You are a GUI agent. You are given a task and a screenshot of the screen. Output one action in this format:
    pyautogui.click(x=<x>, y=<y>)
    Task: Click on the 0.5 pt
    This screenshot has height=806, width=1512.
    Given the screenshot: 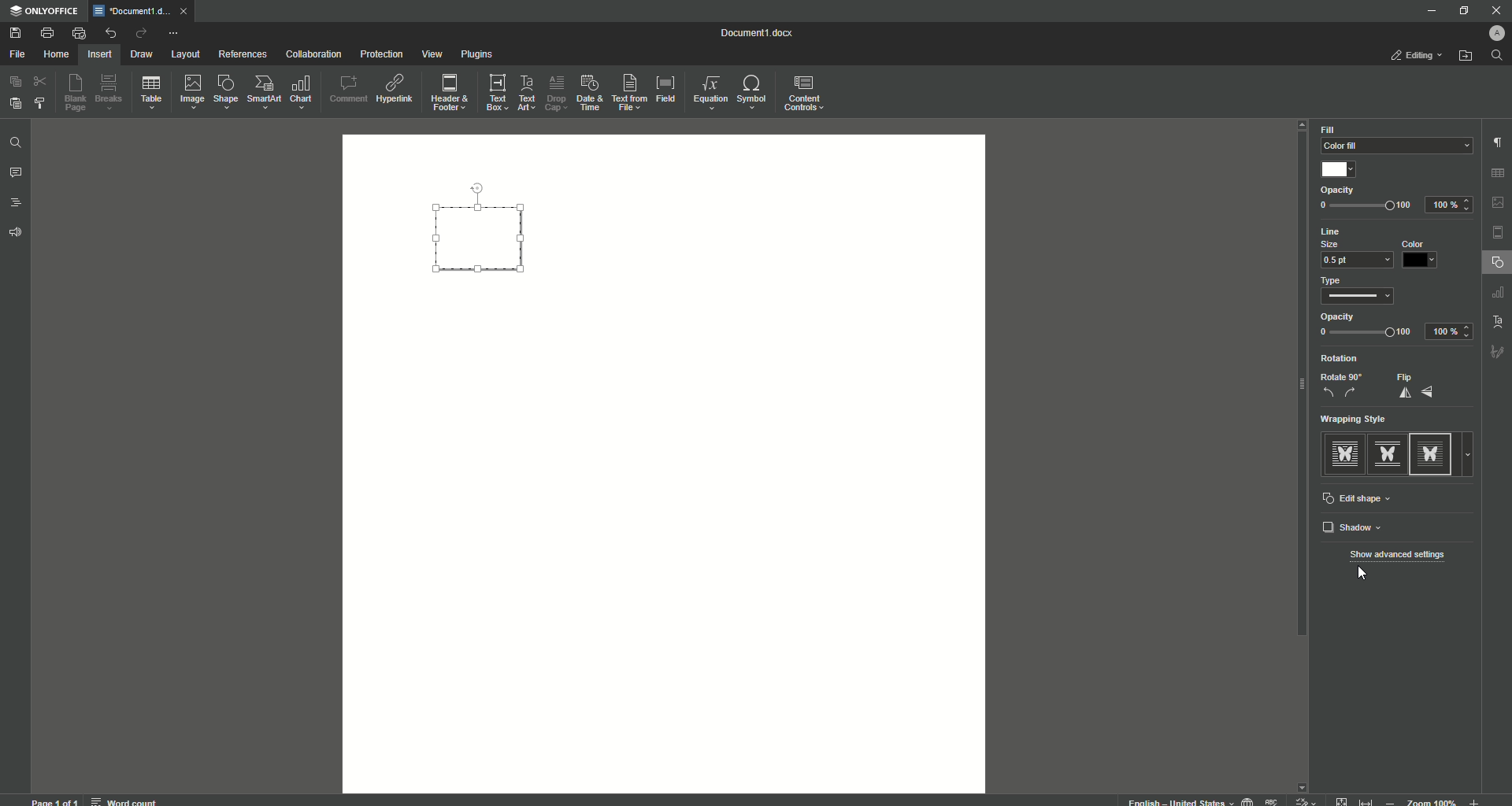 What is the action you would take?
    pyautogui.click(x=1354, y=261)
    